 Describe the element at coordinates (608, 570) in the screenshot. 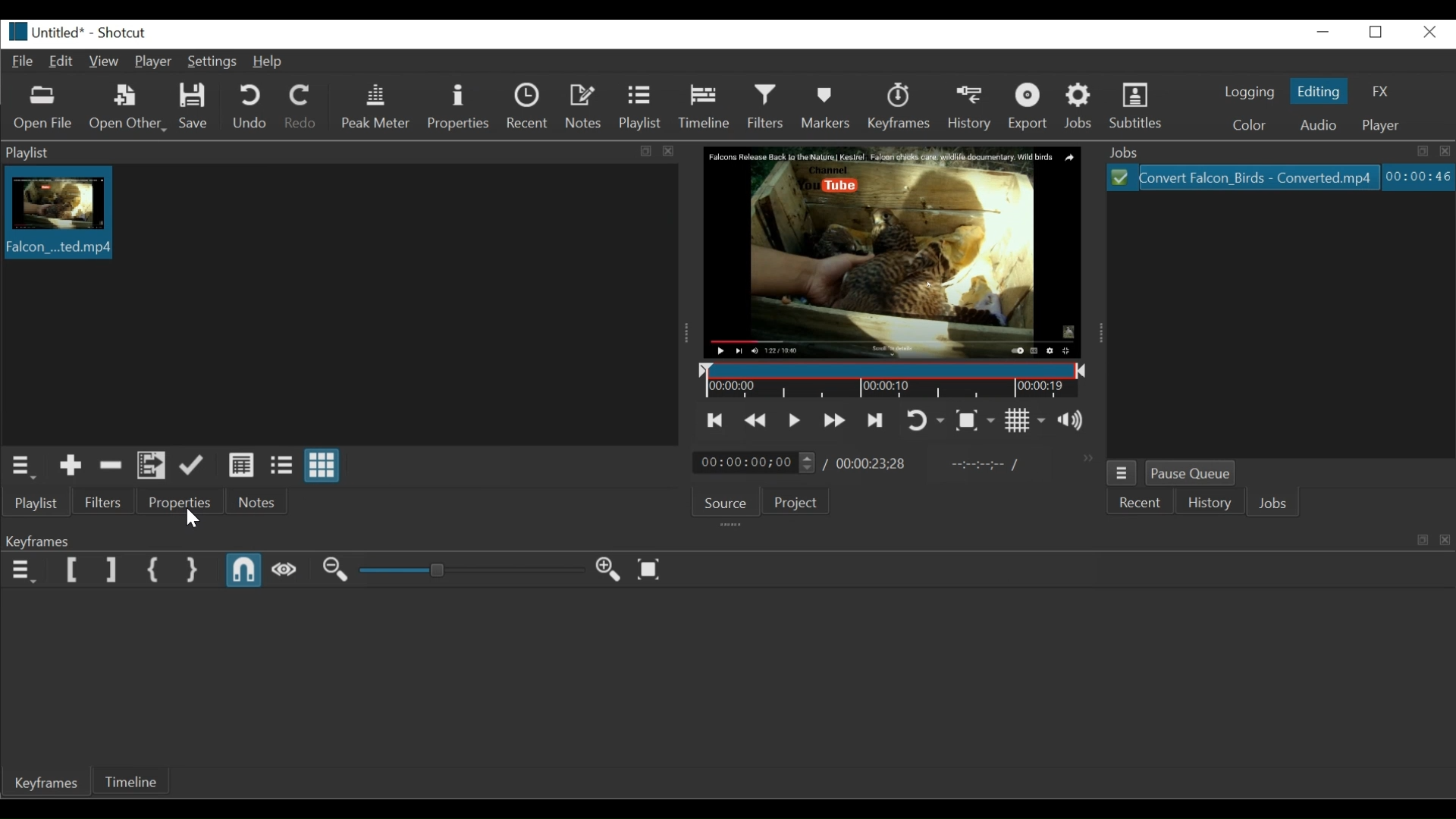

I see `Zoom in Keyframe` at that location.